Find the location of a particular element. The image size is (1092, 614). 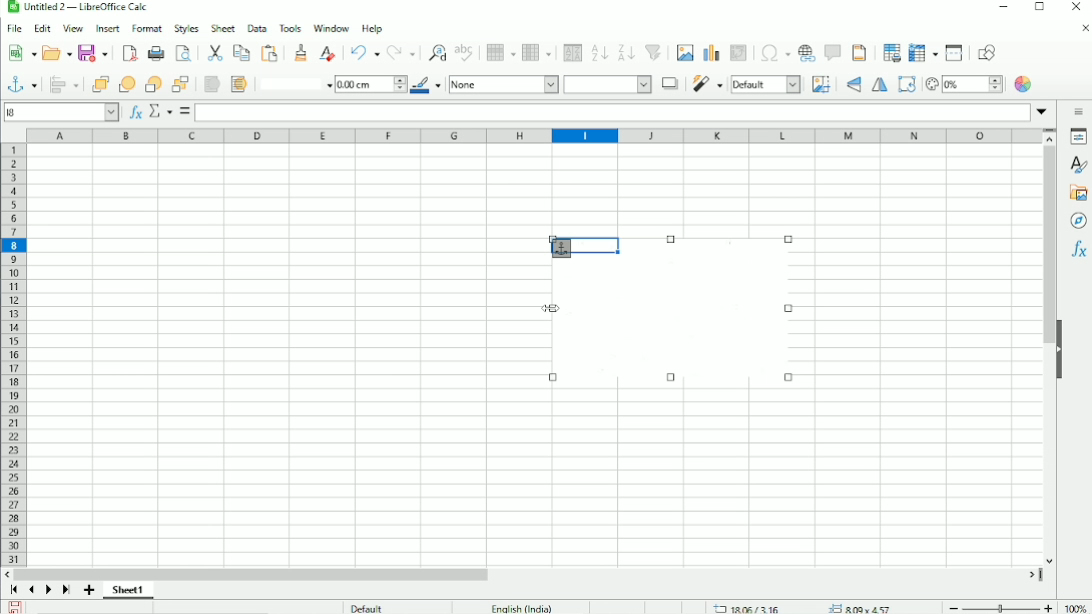

To foreground is located at coordinates (211, 84).